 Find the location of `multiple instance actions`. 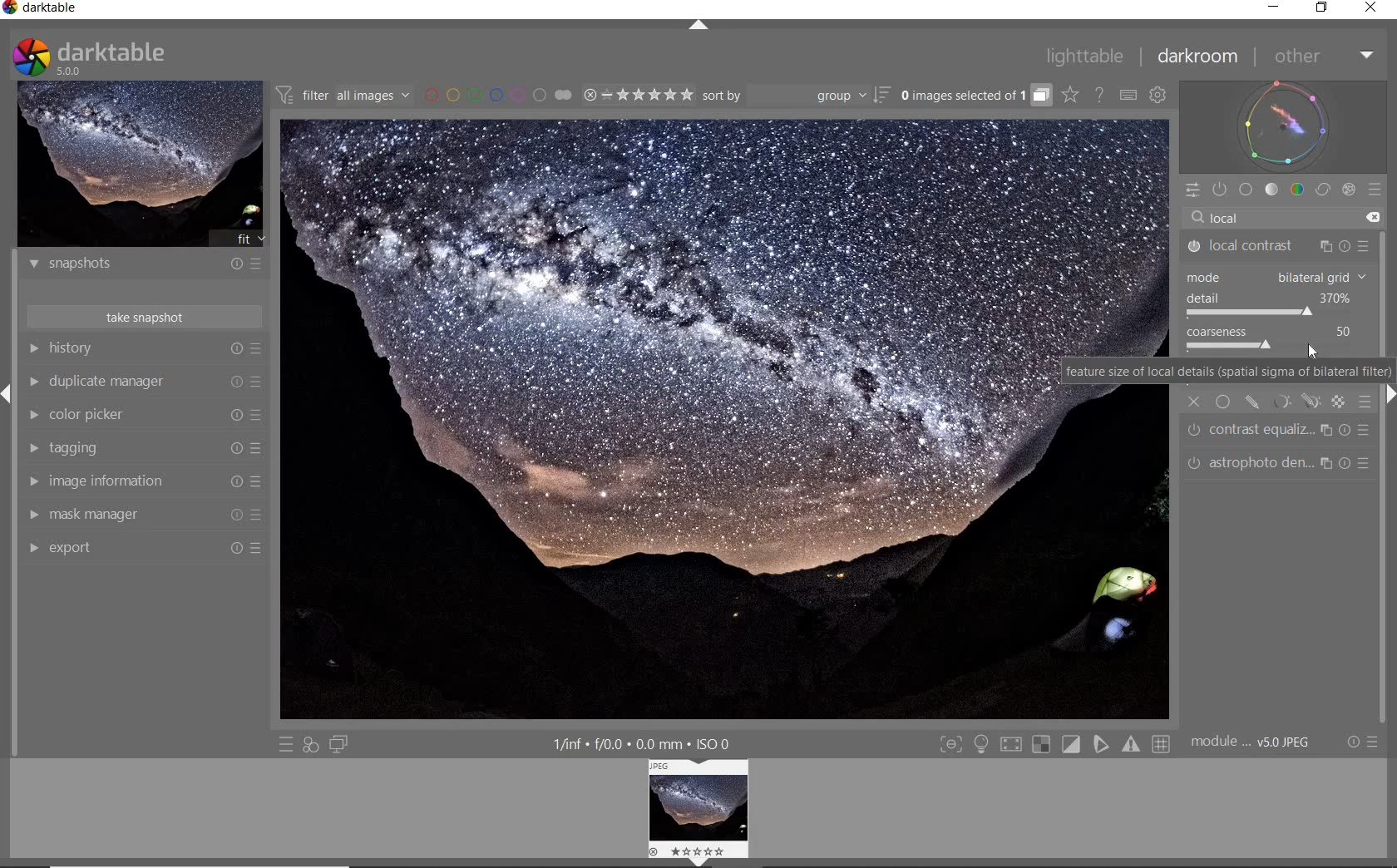

multiple instance actions is located at coordinates (1327, 466).